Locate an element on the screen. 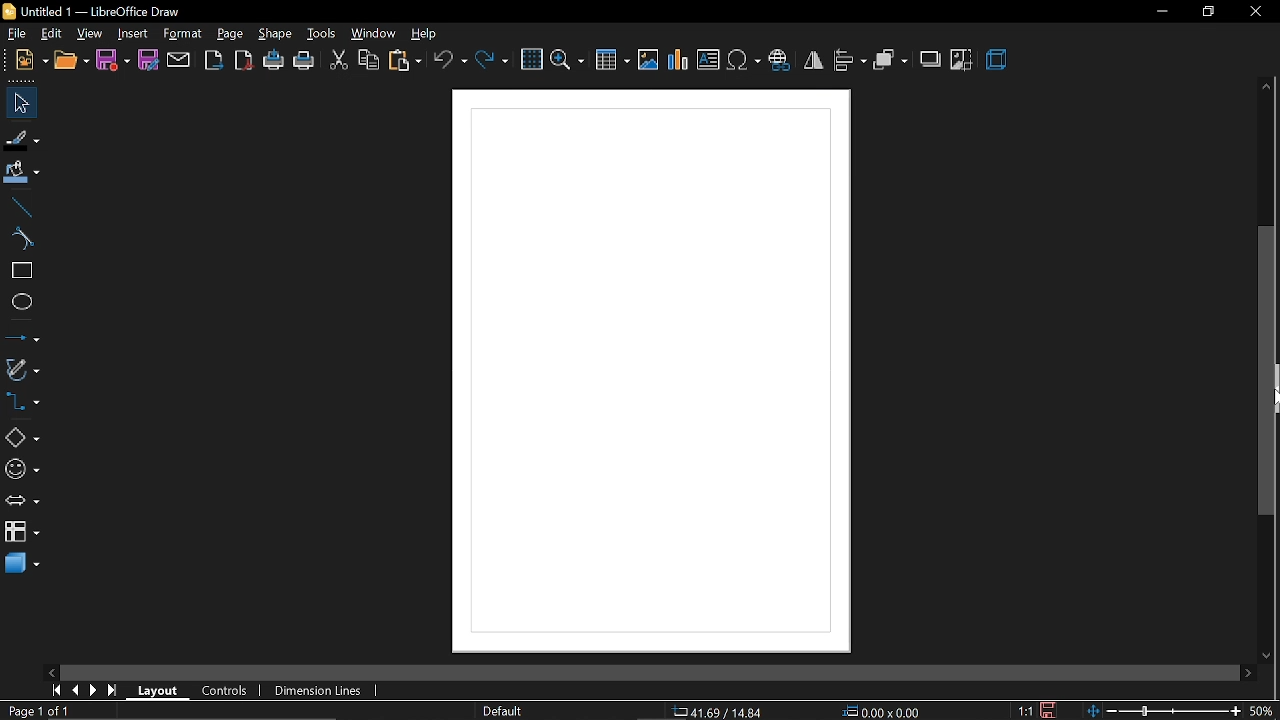 This screenshot has height=720, width=1280. page is located at coordinates (228, 33).